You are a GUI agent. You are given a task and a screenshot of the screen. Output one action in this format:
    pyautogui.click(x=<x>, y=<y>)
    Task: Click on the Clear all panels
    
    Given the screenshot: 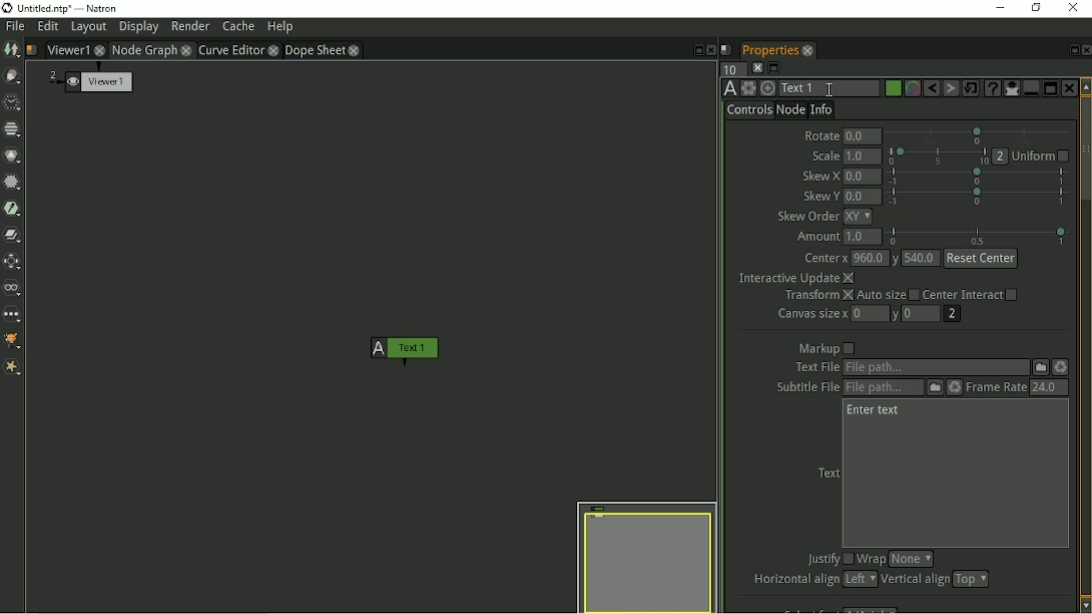 What is the action you would take?
    pyautogui.click(x=756, y=68)
    